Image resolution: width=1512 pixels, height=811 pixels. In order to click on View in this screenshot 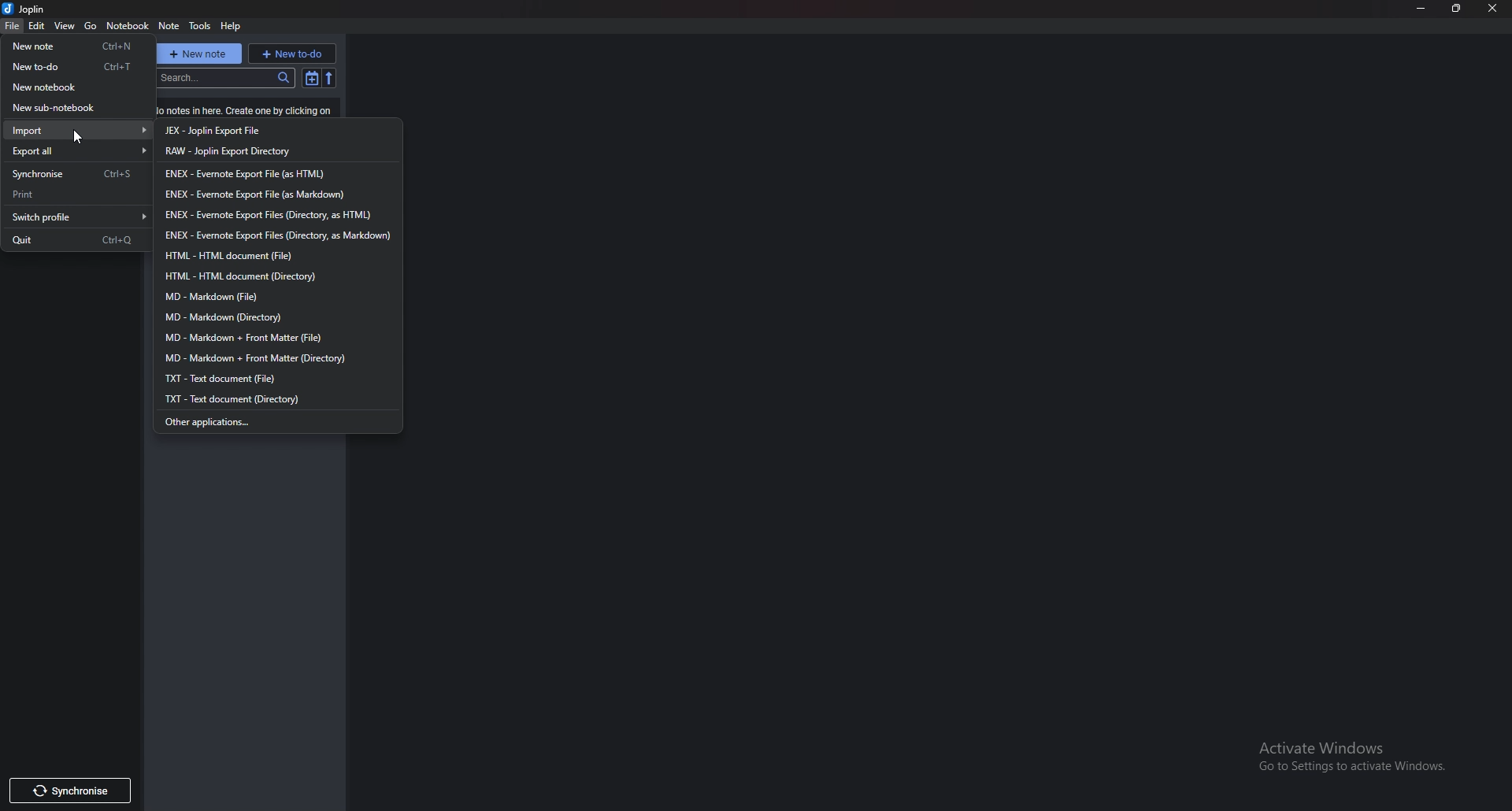, I will do `click(66, 27)`.